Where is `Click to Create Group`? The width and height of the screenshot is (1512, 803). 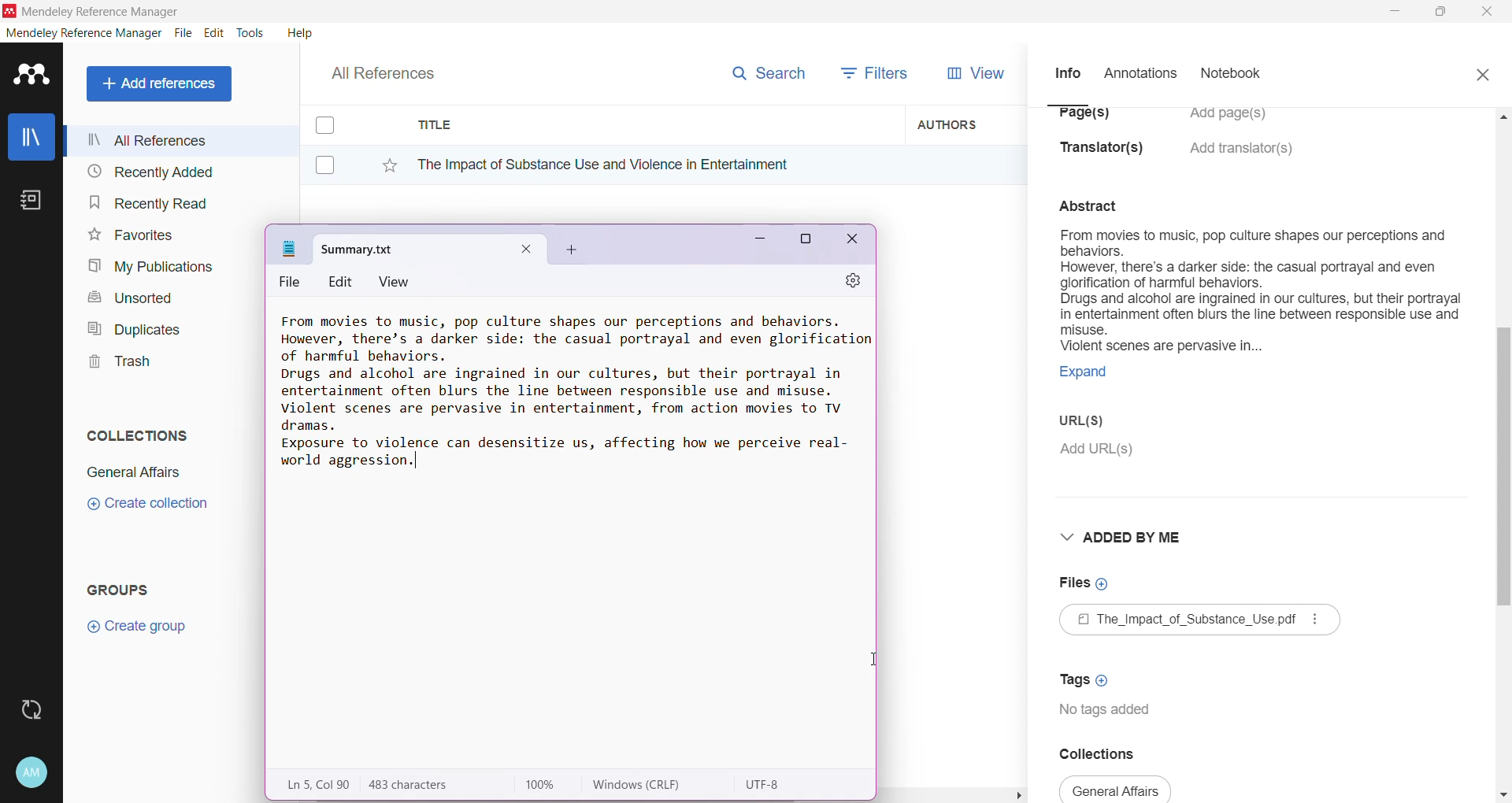
Click to Create Group is located at coordinates (140, 632).